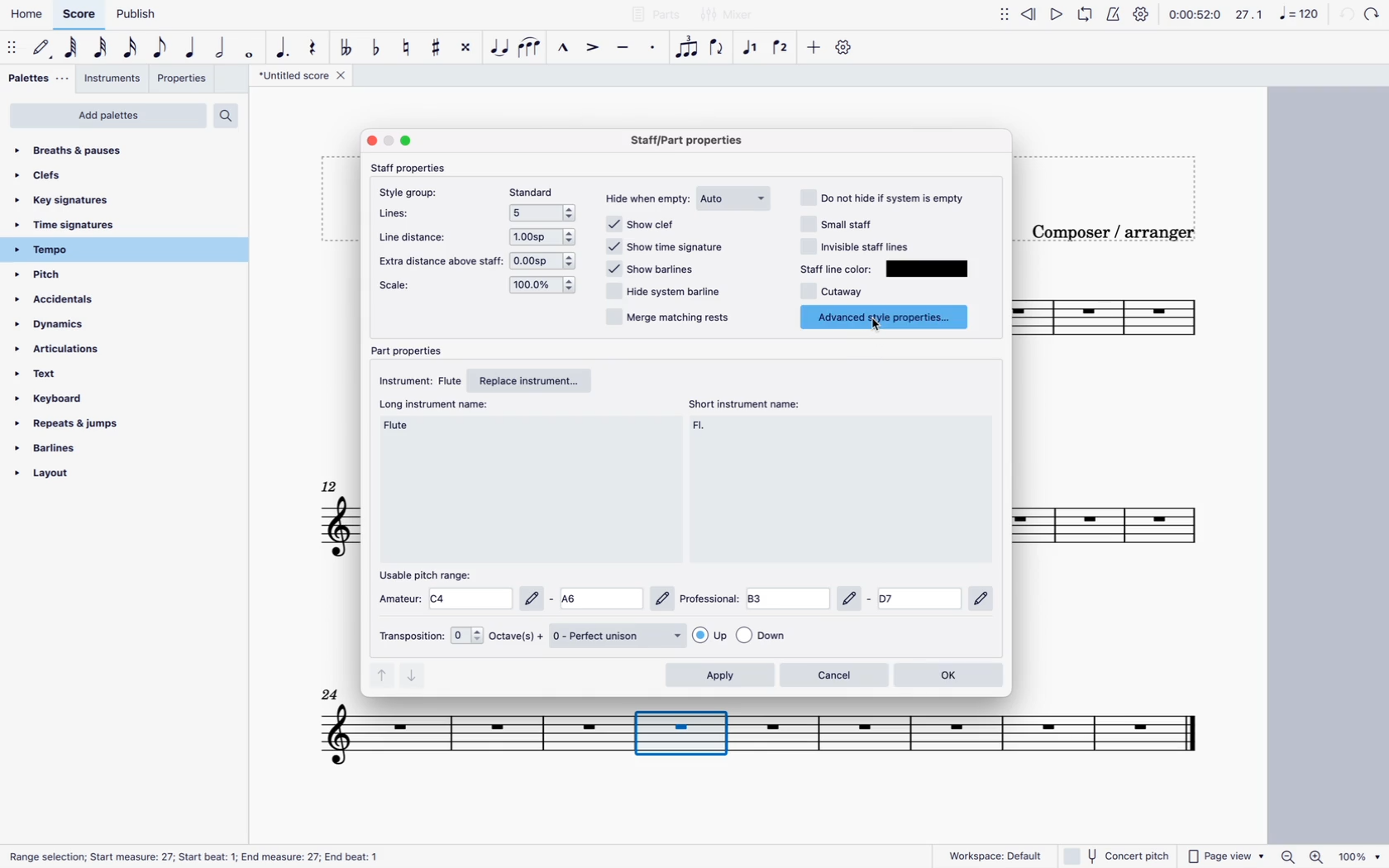 Image resolution: width=1389 pixels, height=868 pixels. I want to click on scale, so click(418, 289).